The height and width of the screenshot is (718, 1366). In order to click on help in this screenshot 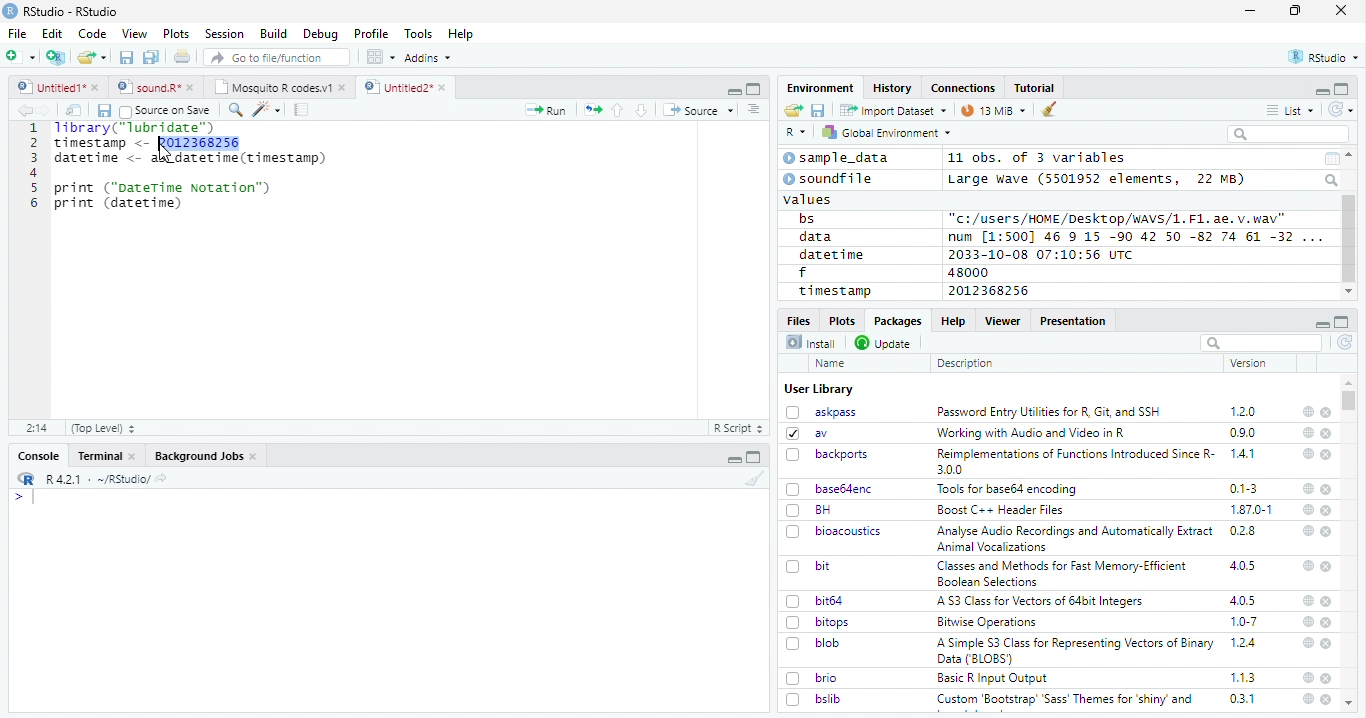, I will do `click(1307, 565)`.